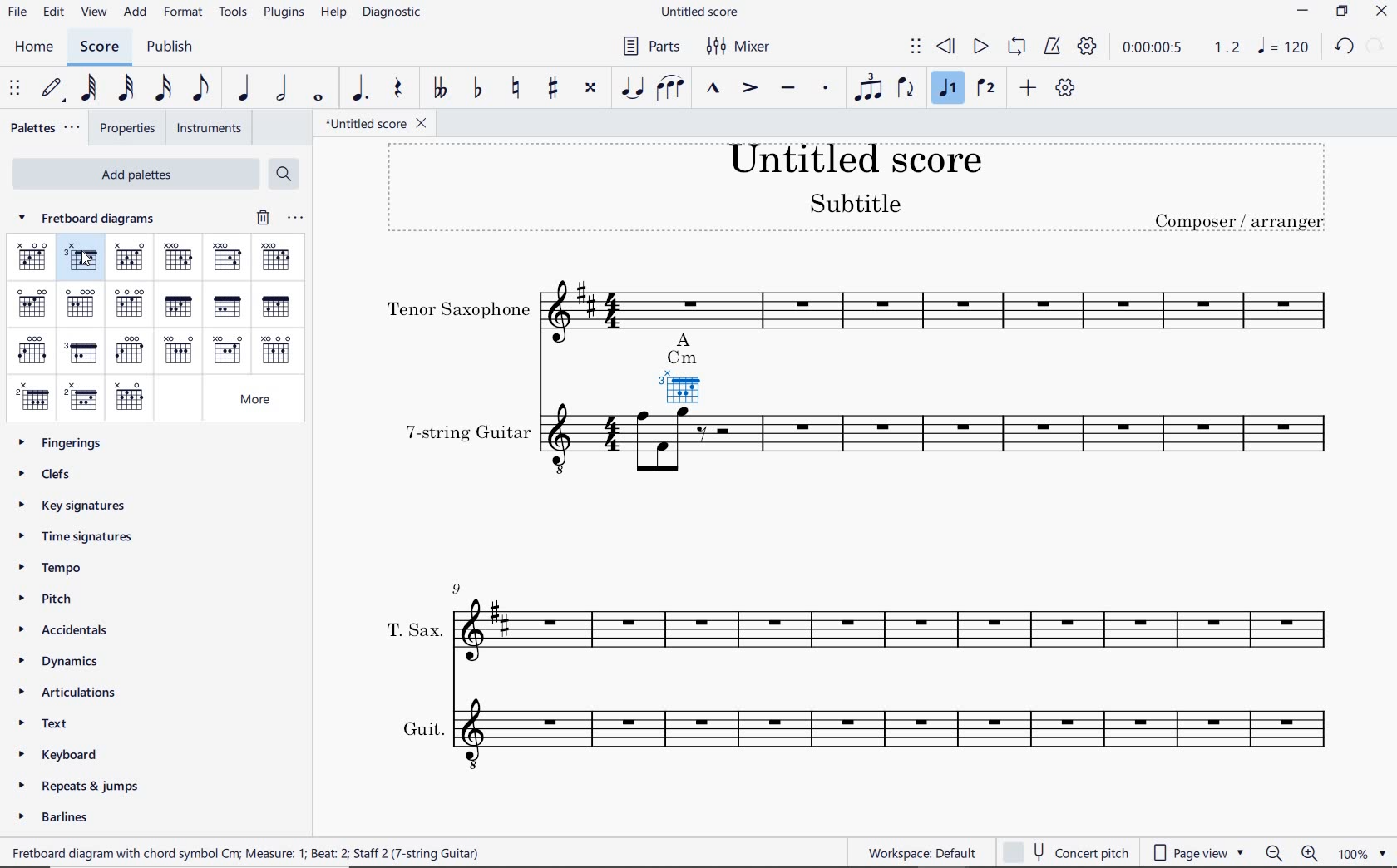 The image size is (1397, 868). I want to click on A7, so click(277, 351).